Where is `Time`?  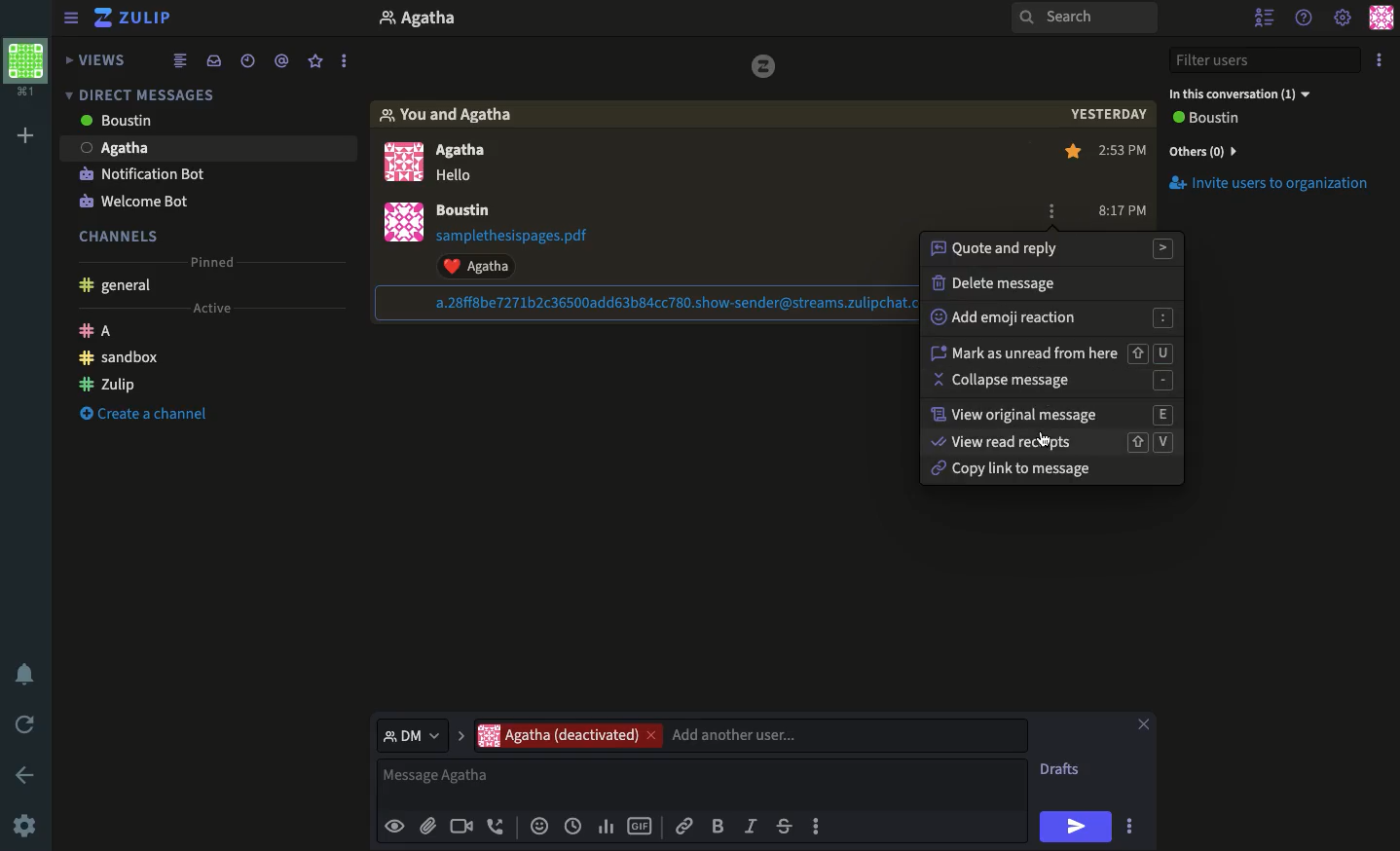
Time is located at coordinates (1126, 180).